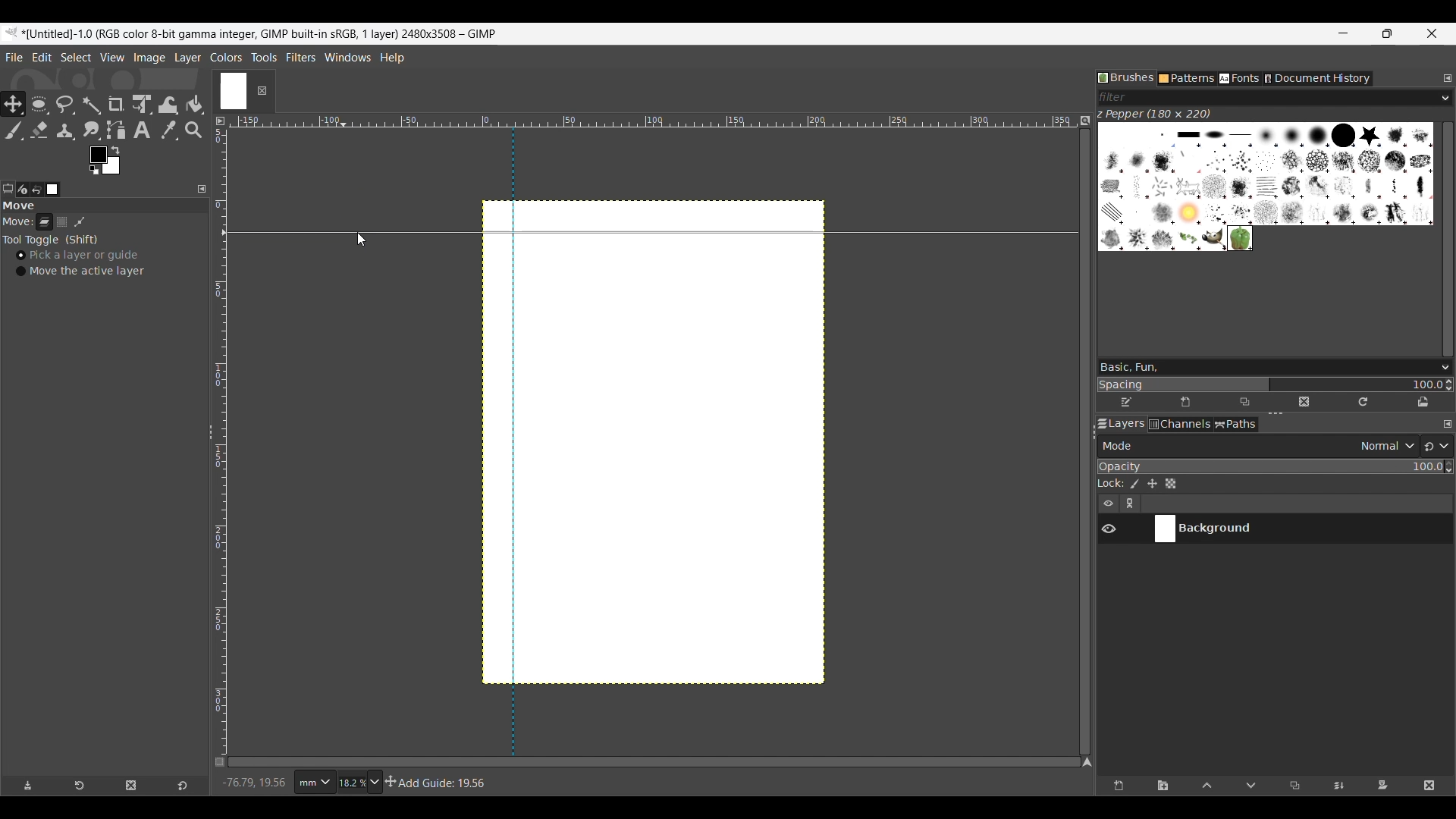 This screenshot has height=819, width=1456. Describe the element at coordinates (1448, 239) in the screenshot. I see `Vertical slide bar` at that location.